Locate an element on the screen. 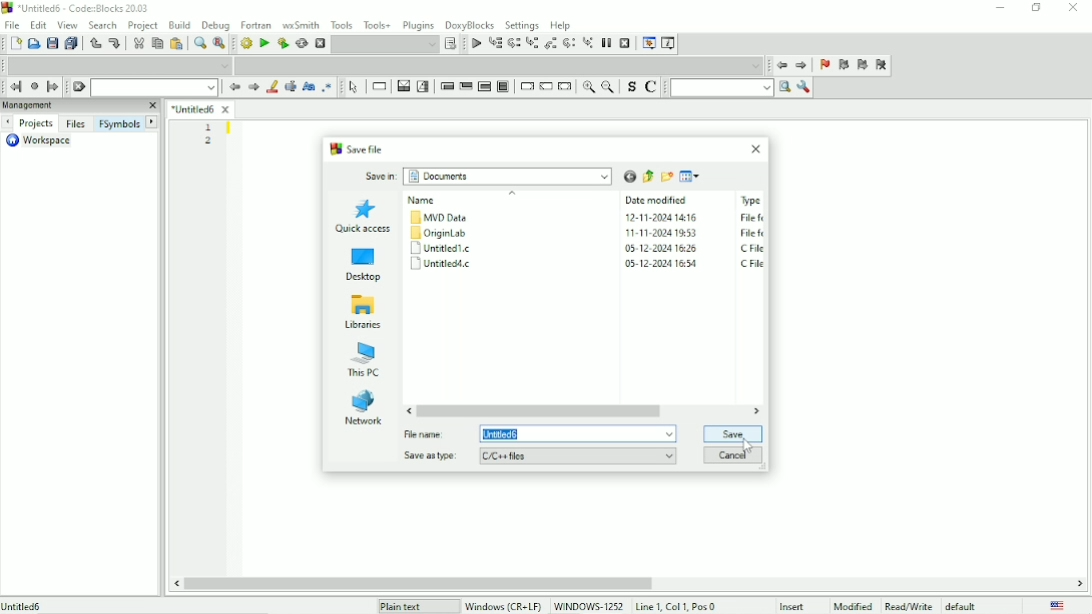  Insert is located at coordinates (798, 606).